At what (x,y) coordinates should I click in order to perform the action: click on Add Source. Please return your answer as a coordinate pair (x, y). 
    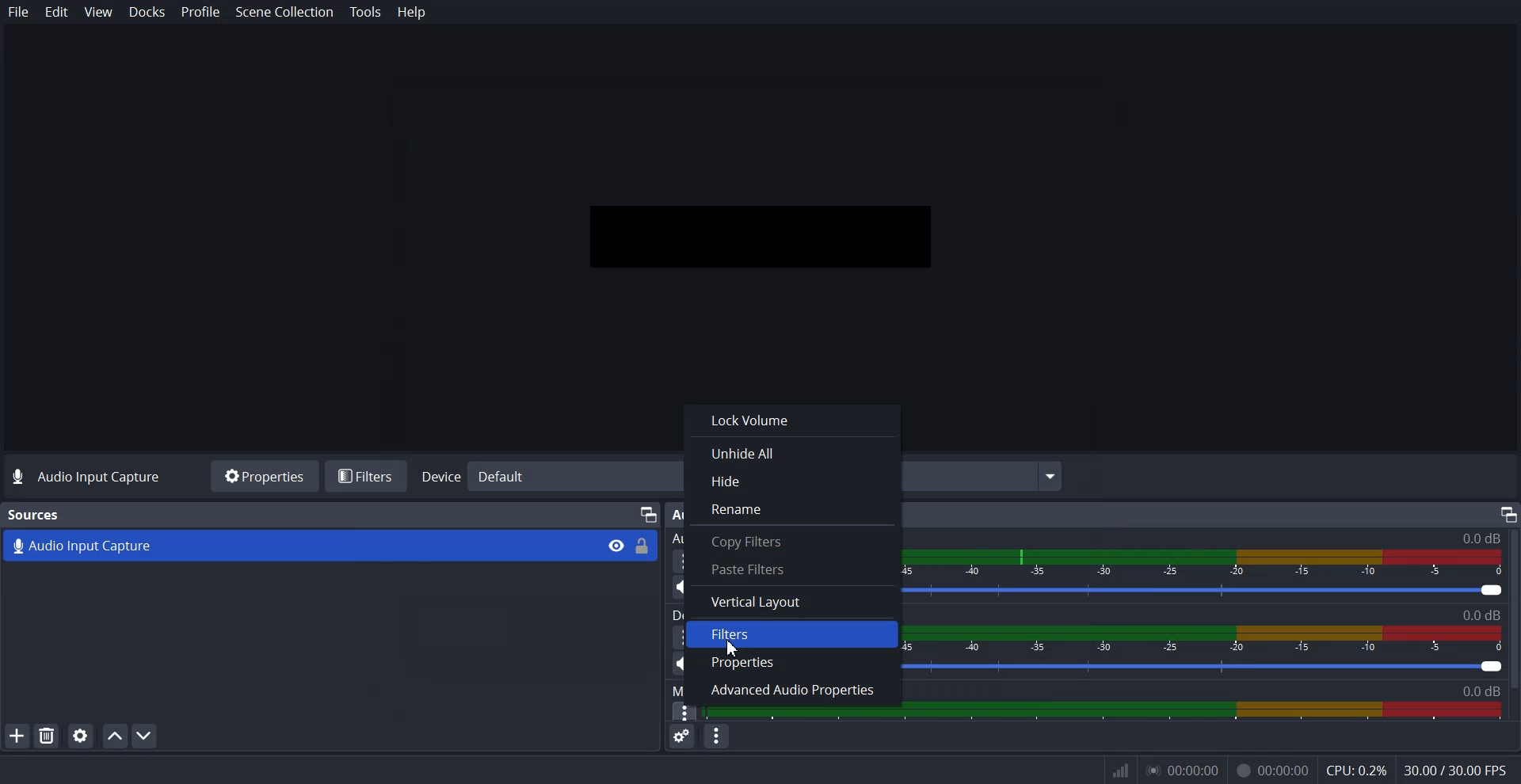
    Looking at the image, I should click on (17, 735).